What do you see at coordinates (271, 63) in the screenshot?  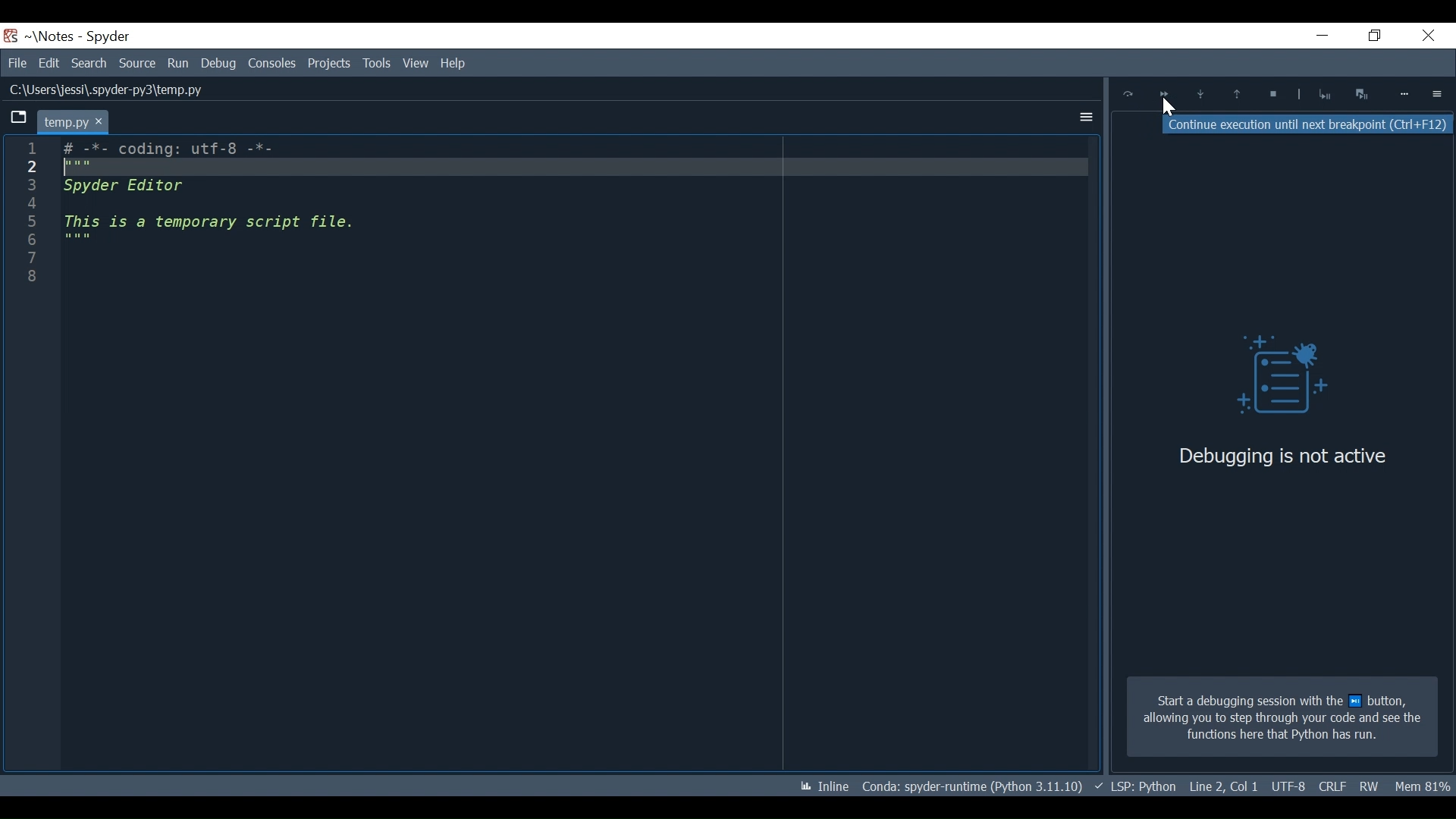 I see `Consoles` at bounding box center [271, 63].